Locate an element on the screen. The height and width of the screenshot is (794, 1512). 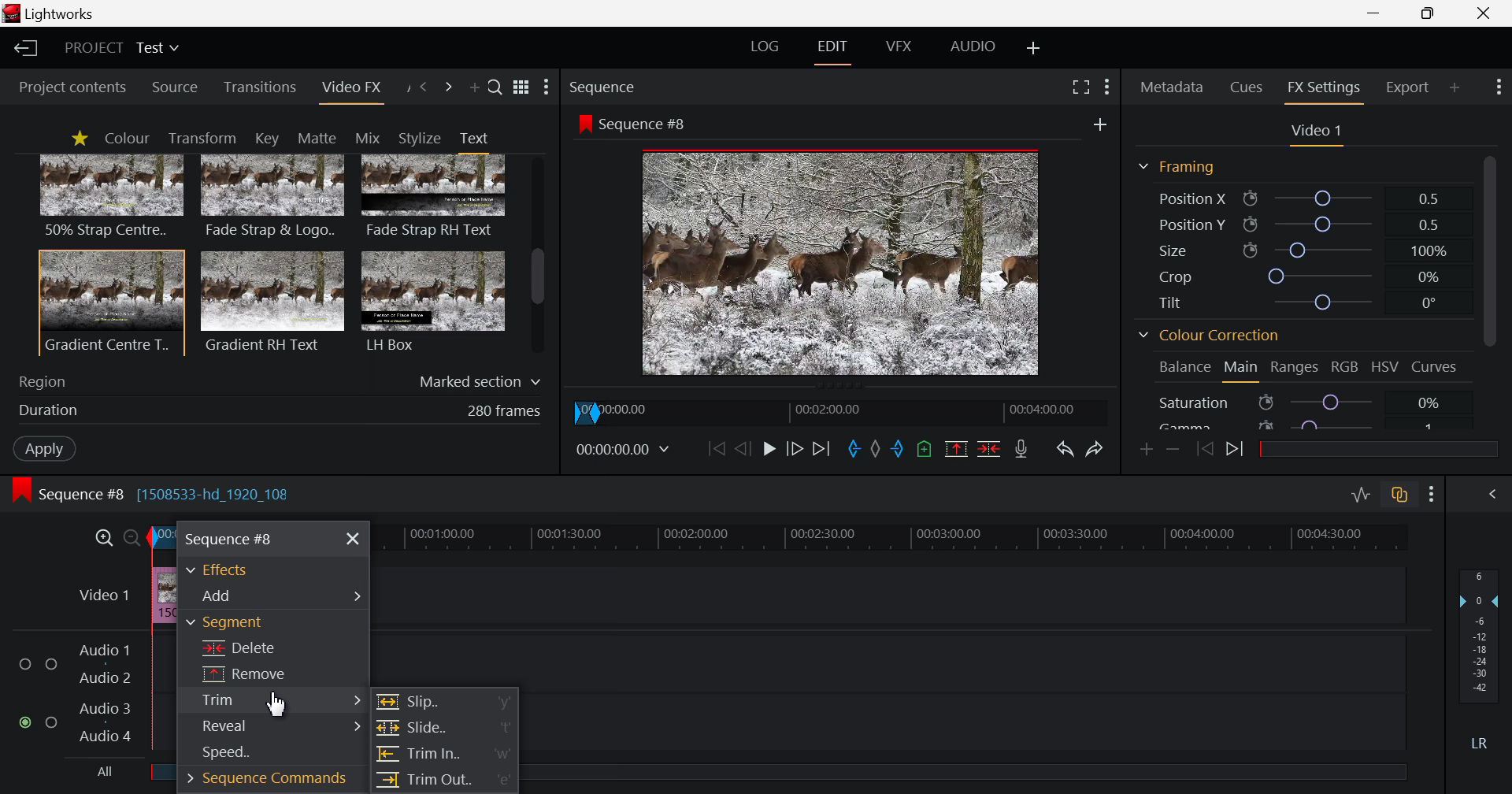
Go Forward is located at coordinates (793, 447).